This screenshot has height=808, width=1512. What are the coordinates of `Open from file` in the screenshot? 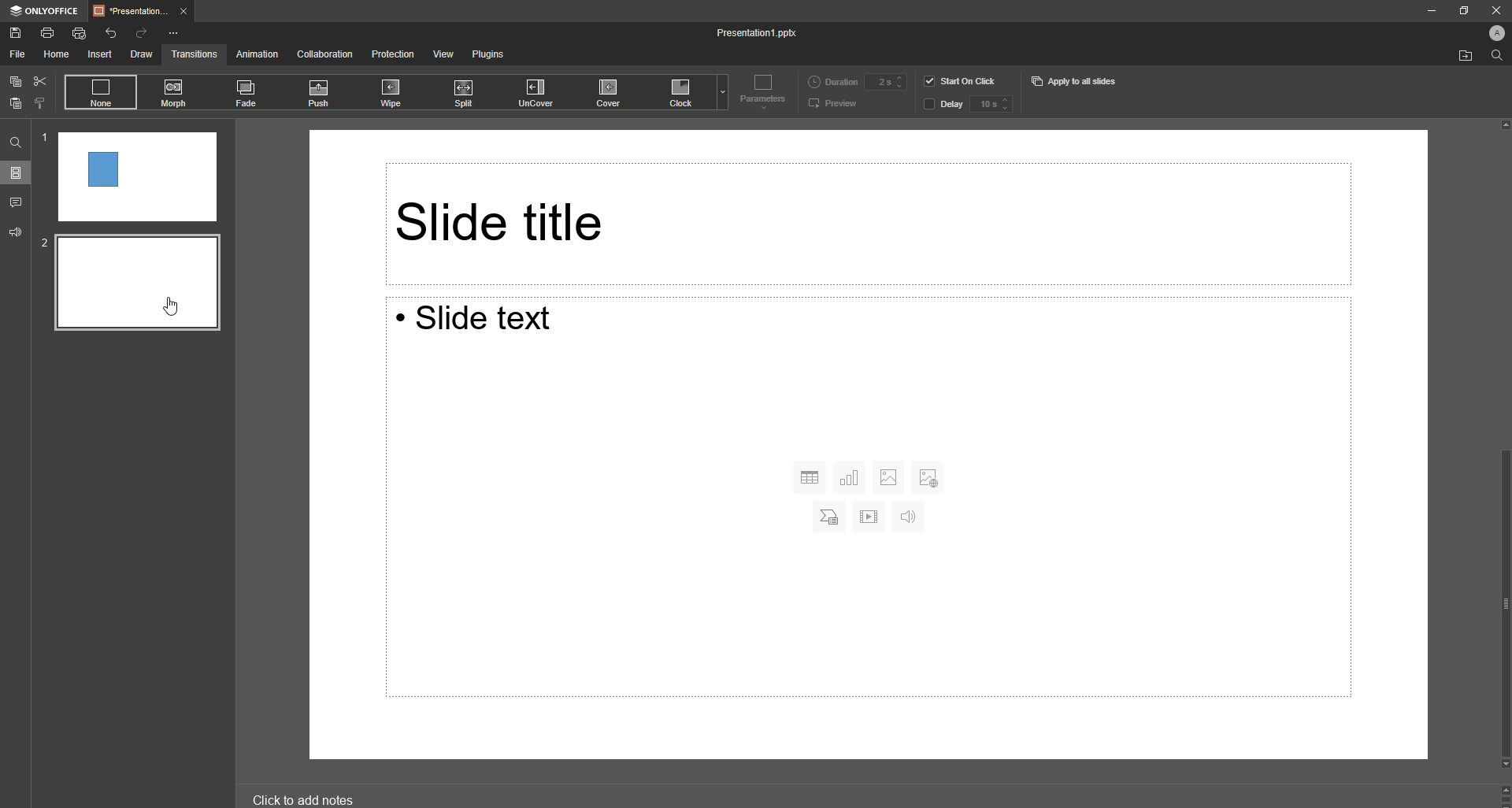 It's located at (1458, 55).